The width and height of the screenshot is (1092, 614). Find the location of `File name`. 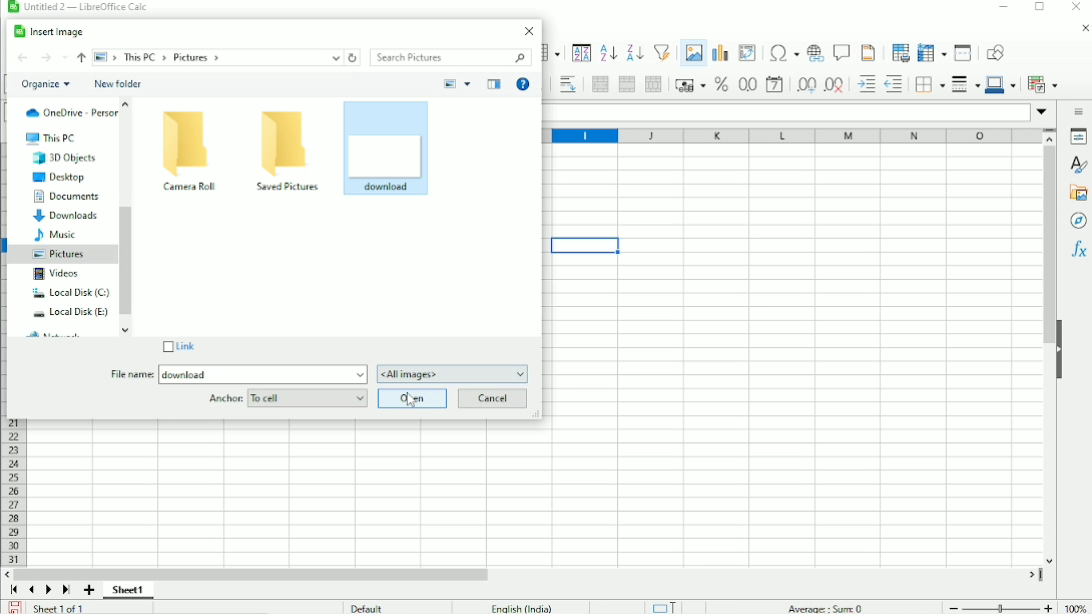

File name is located at coordinates (131, 375).